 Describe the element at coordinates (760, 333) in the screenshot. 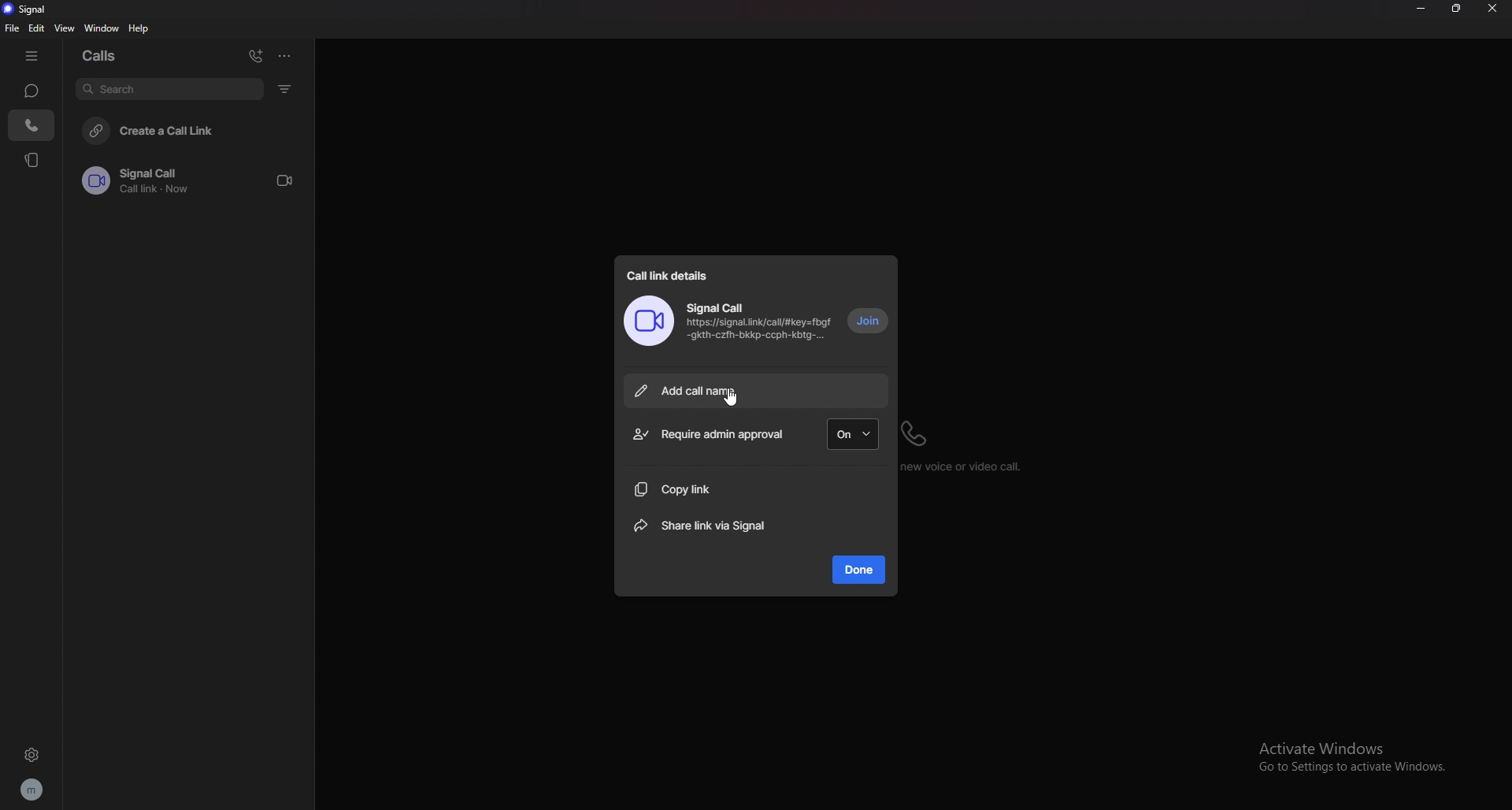

I see `https://signal.link/call/#key=fbgf
-gkth-czfh-bkkp-Coph-Kbig-...` at that location.